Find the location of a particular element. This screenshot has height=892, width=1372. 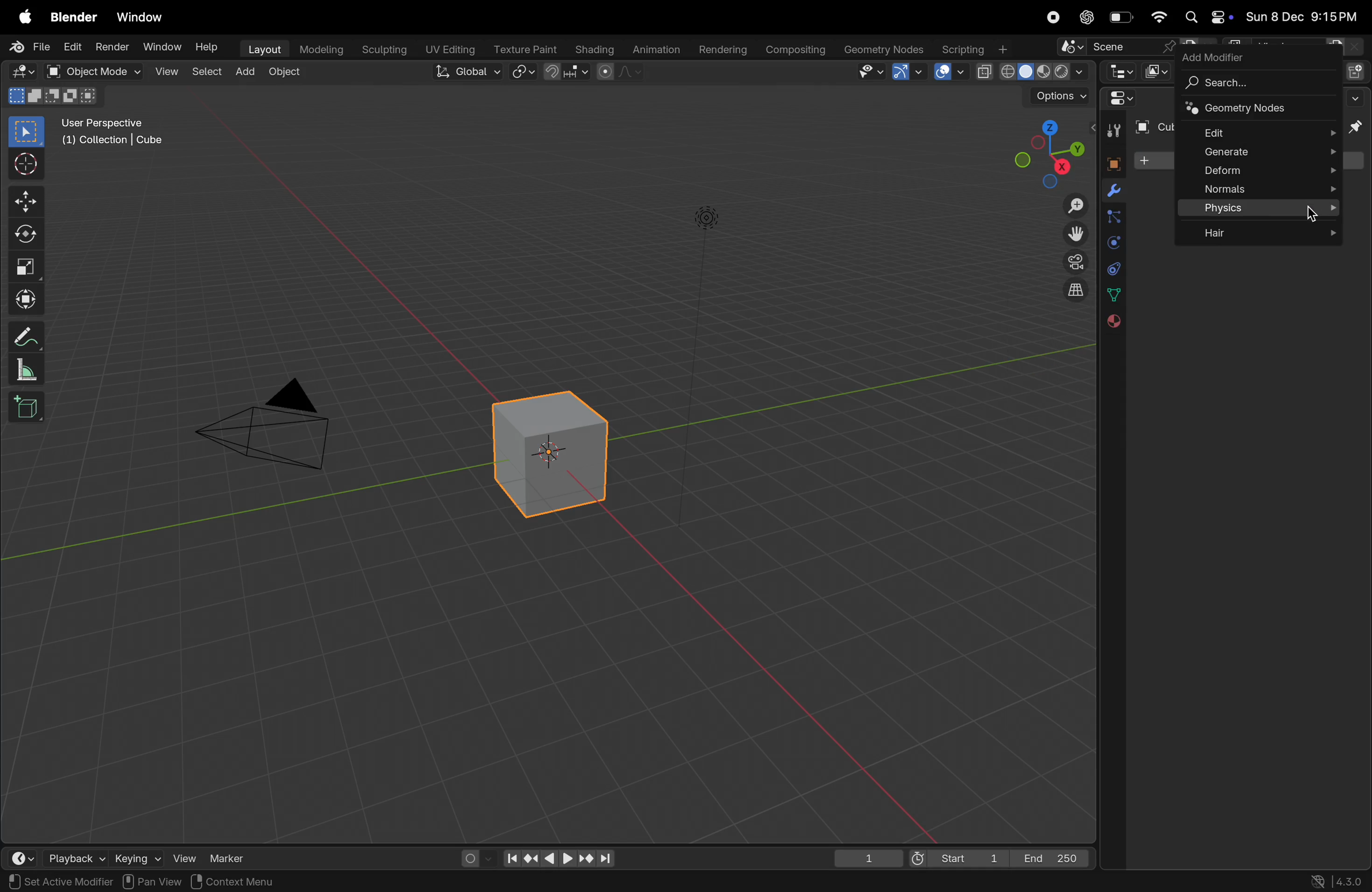

sculpting is located at coordinates (385, 48).